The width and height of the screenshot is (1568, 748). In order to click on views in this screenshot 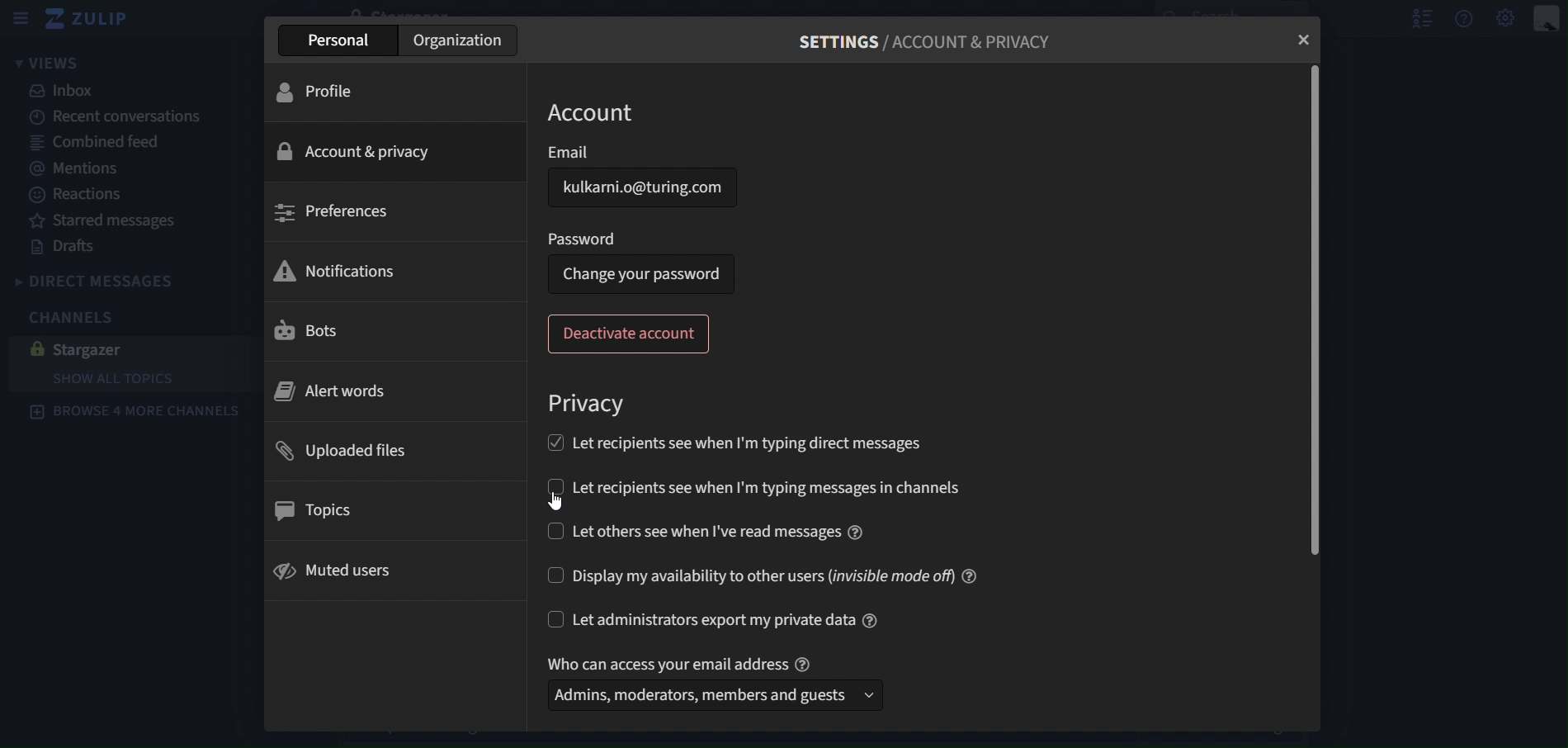, I will do `click(48, 64)`.